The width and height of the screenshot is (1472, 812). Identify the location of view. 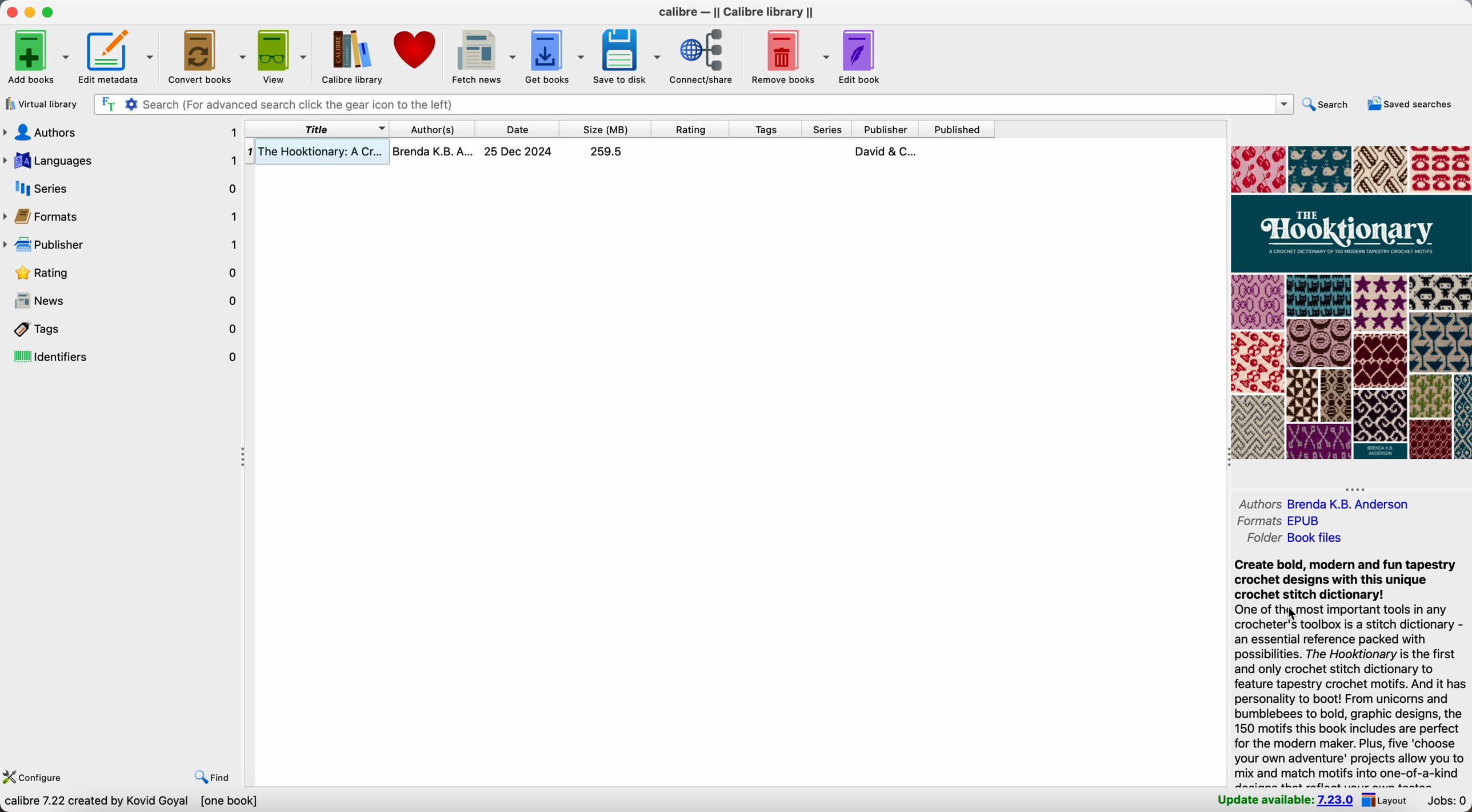
(282, 55).